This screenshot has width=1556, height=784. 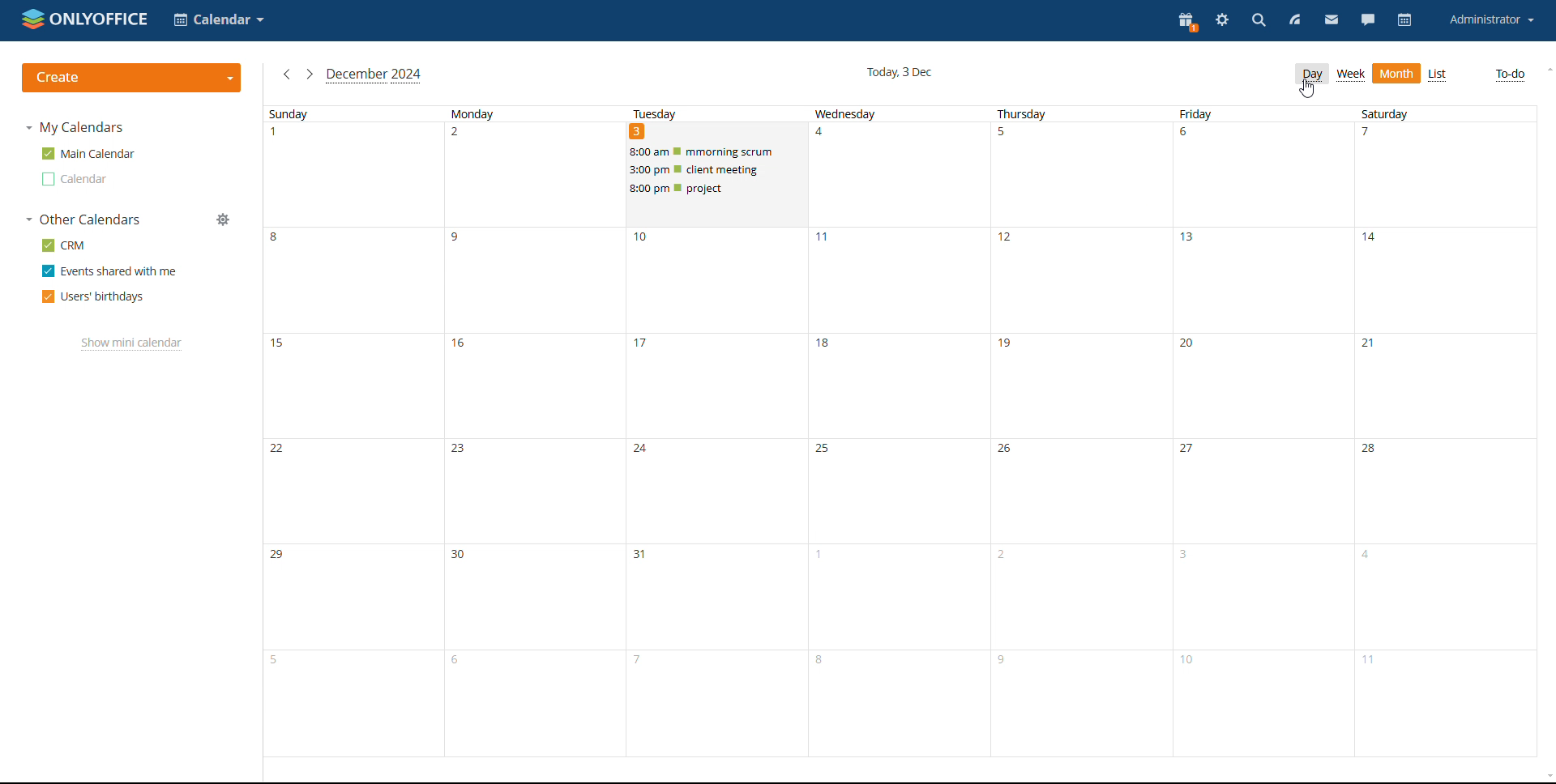 What do you see at coordinates (716, 172) in the screenshot?
I see `scheduled events` at bounding box center [716, 172].